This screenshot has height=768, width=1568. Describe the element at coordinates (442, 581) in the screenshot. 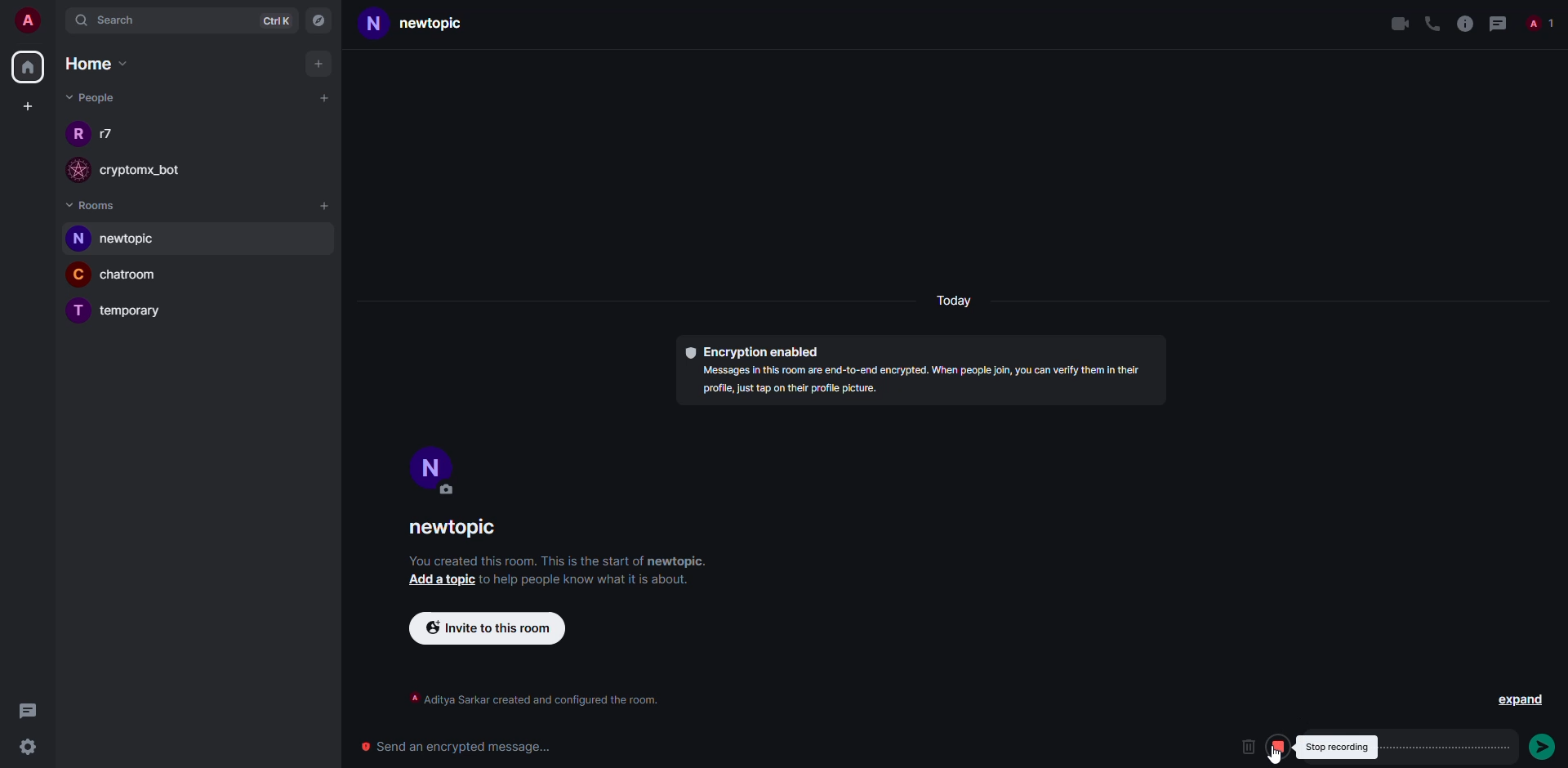

I see `add topic` at that location.